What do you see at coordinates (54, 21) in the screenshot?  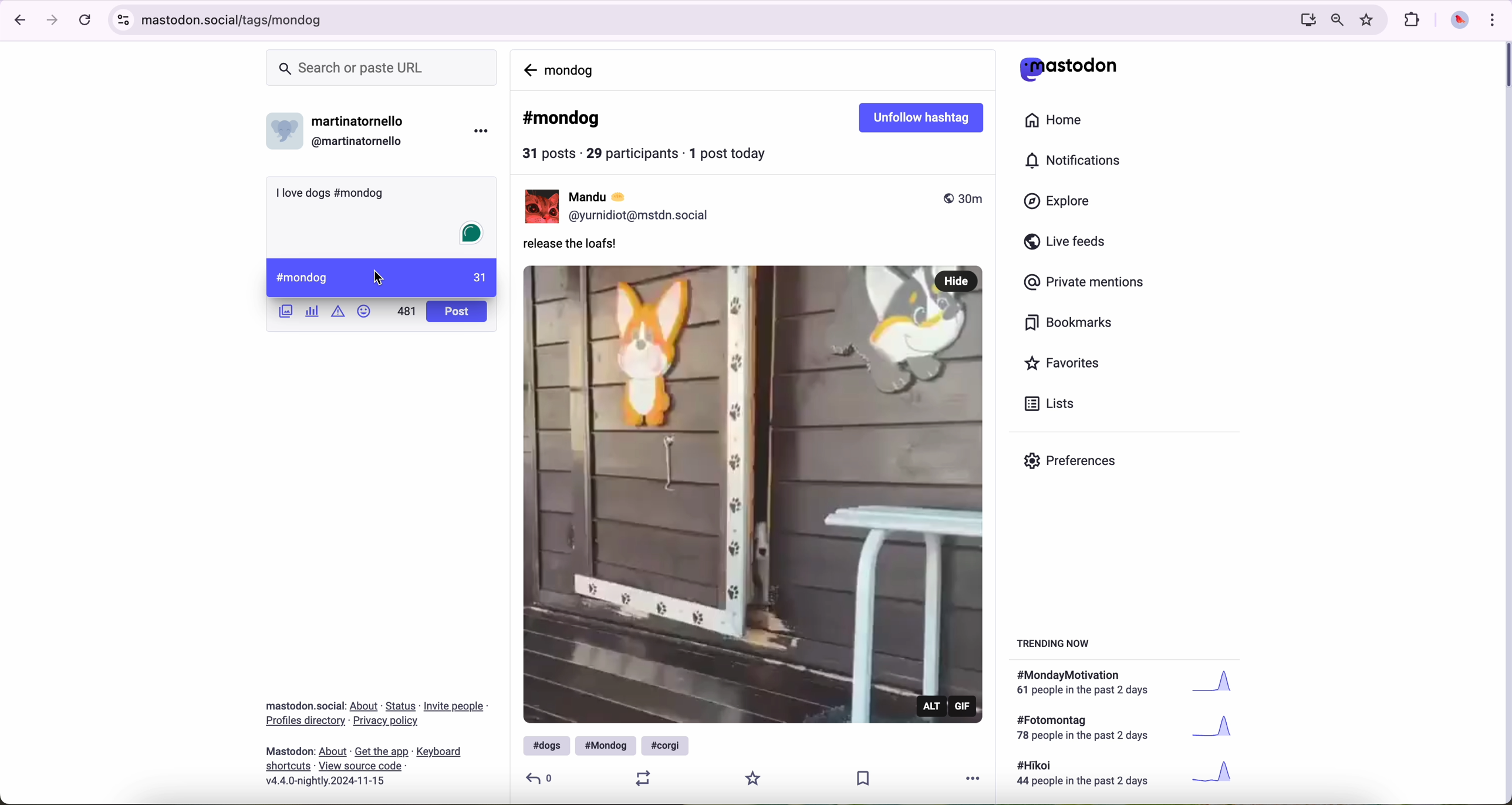 I see `navigate foward` at bounding box center [54, 21].